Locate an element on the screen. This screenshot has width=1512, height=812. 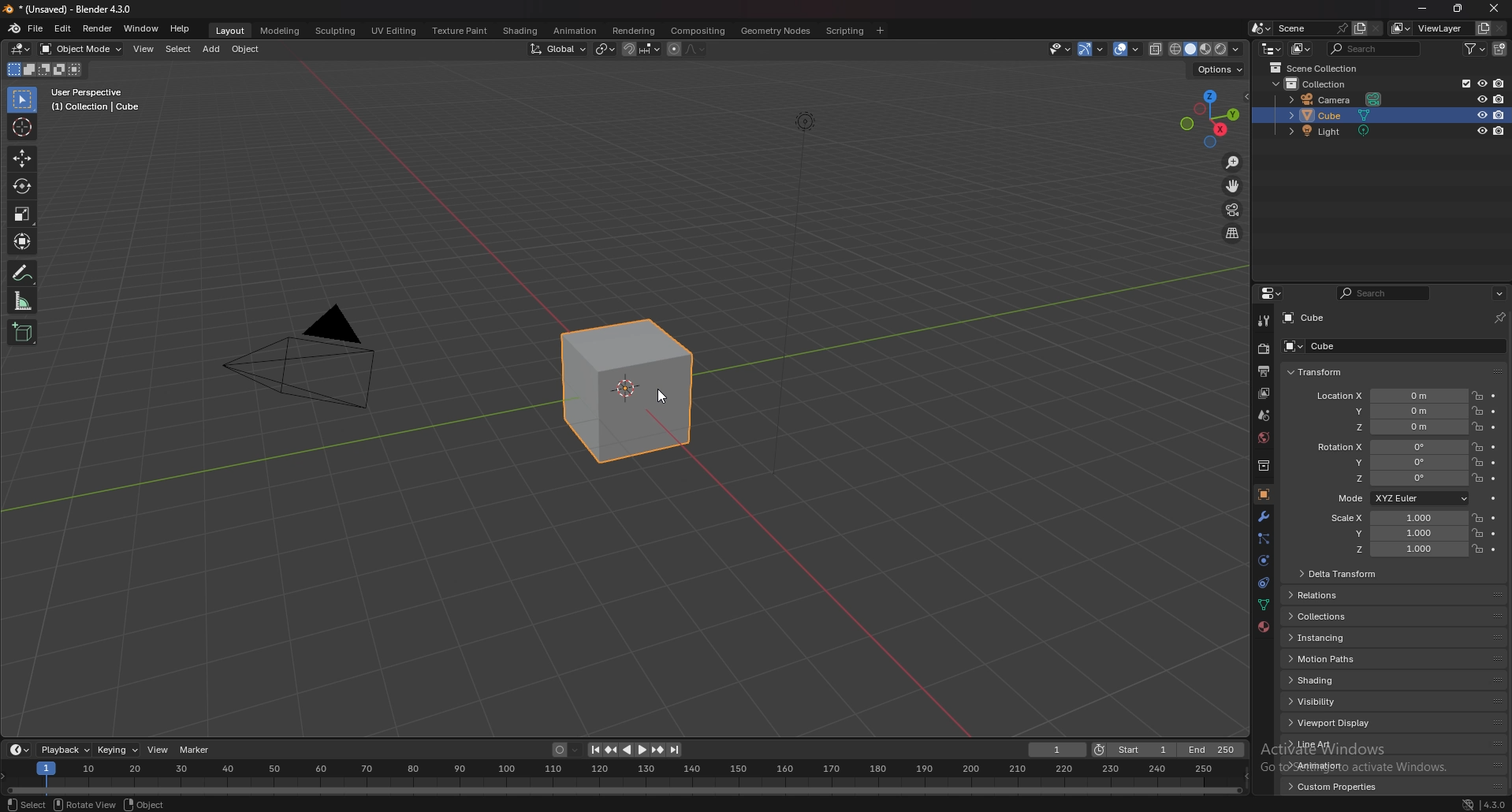
auto keying is located at coordinates (564, 750).